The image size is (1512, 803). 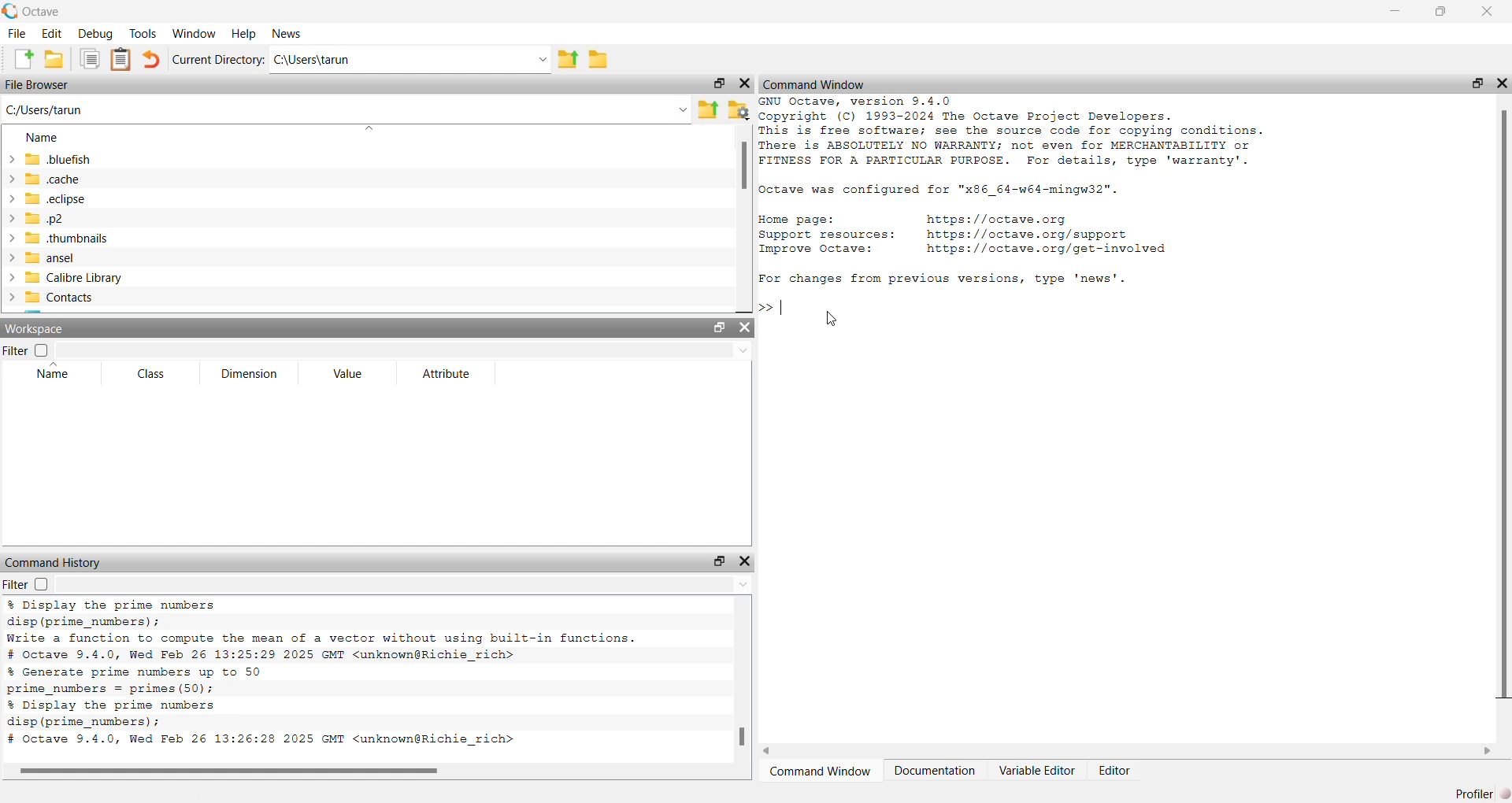 I want to click on ansel, so click(x=50, y=257).